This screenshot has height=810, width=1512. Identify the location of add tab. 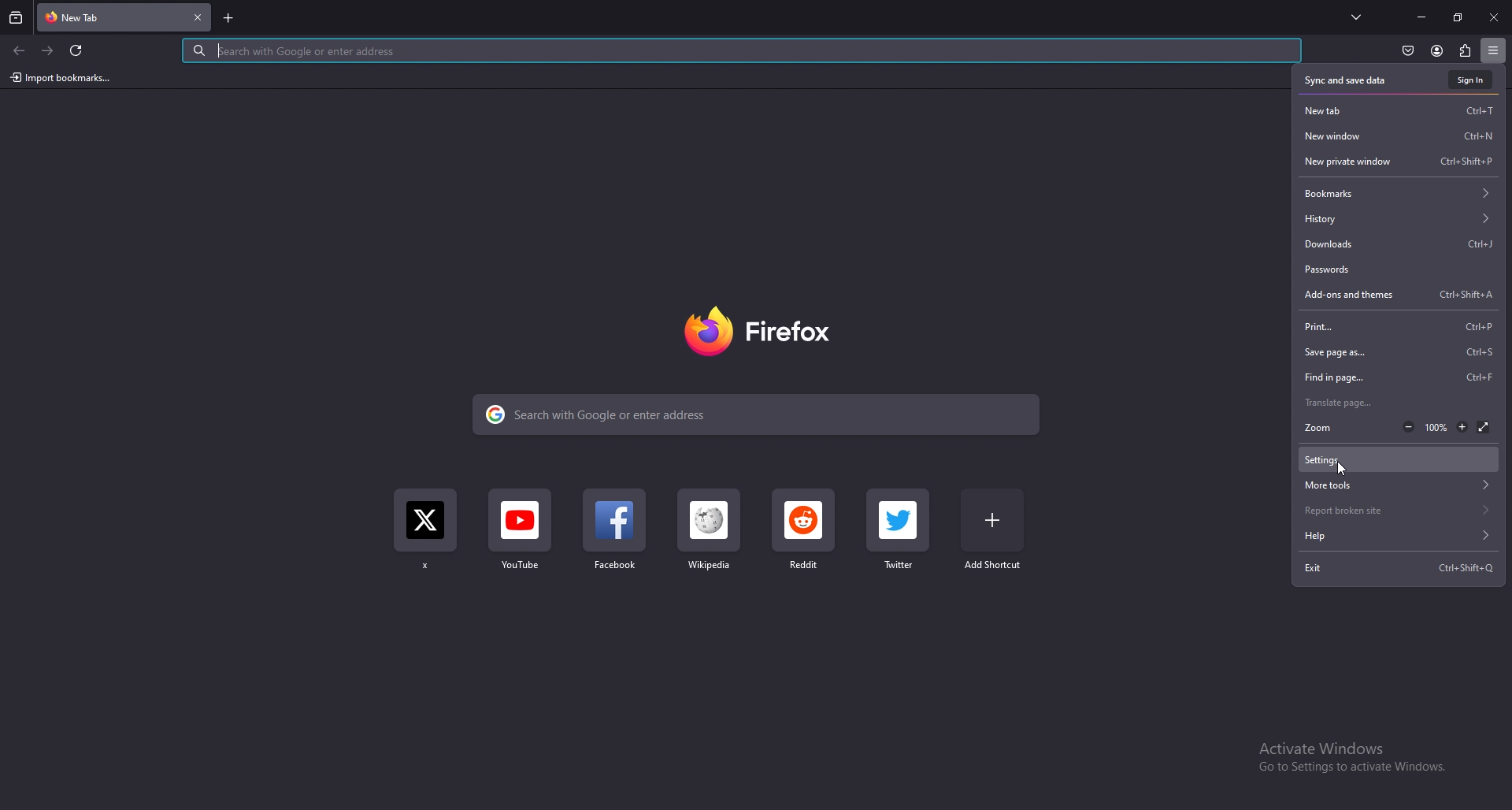
(227, 17).